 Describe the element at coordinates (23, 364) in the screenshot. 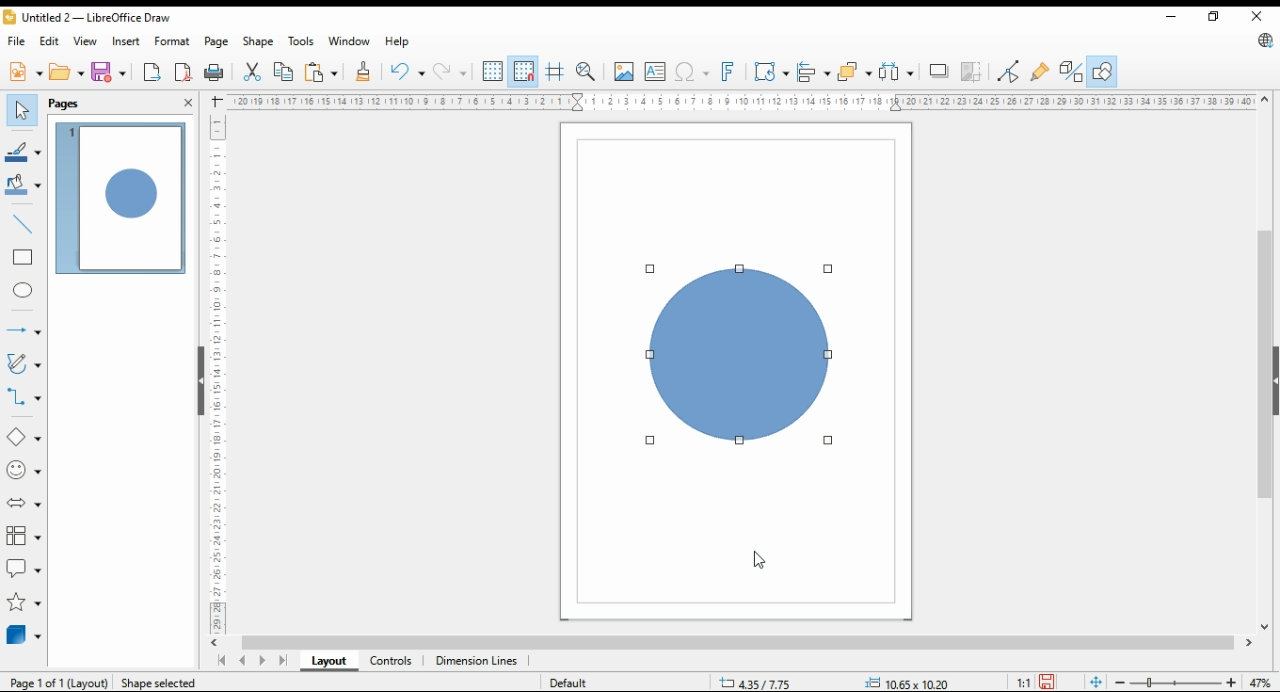

I see `curves and polygons` at that location.